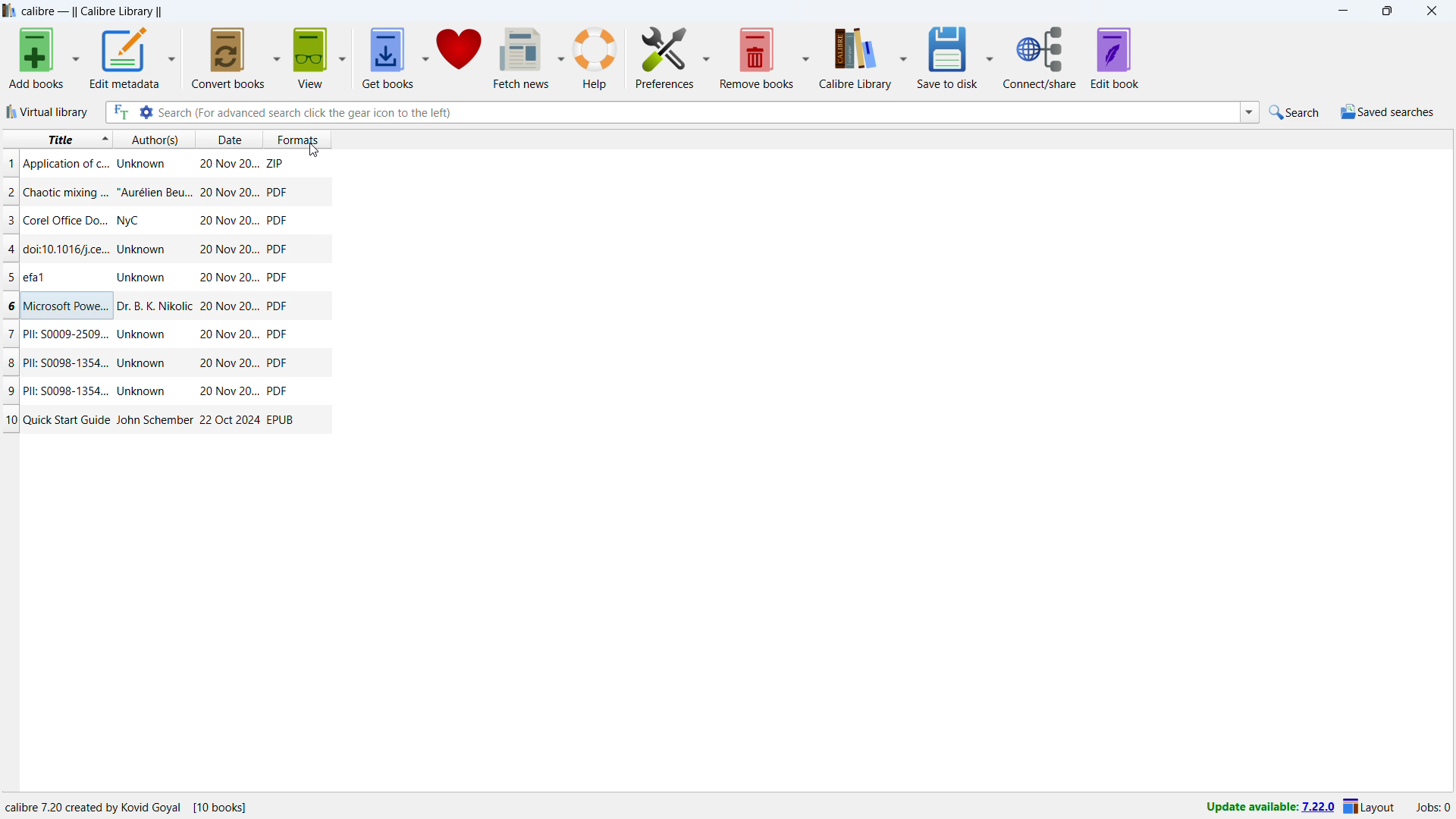  Describe the element at coordinates (92, 11) in the screenshot. I see `title` at that location.